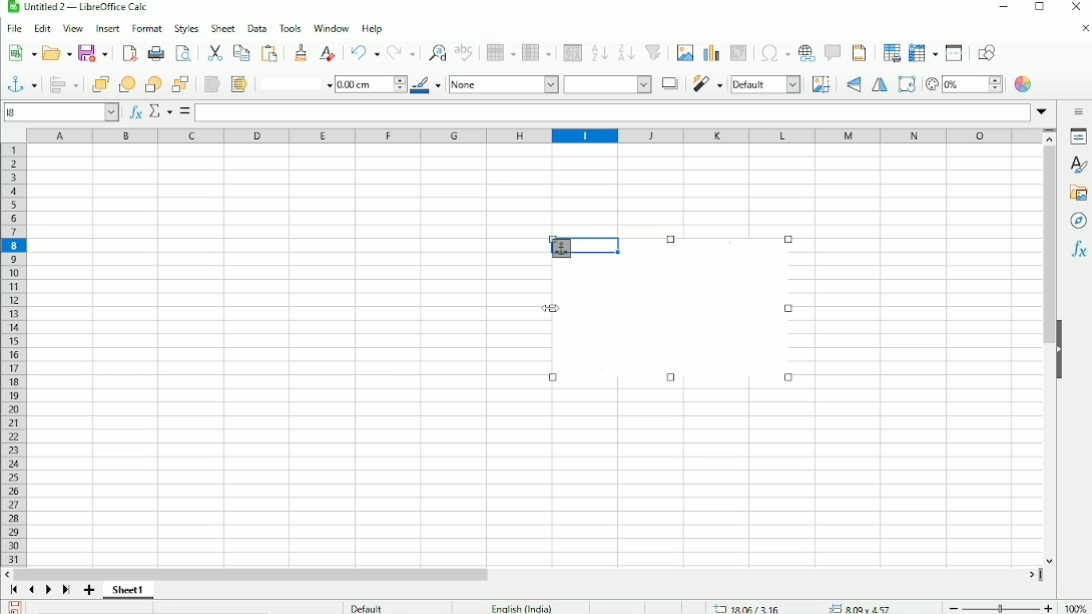  I want to click on New, so click(22, 53).